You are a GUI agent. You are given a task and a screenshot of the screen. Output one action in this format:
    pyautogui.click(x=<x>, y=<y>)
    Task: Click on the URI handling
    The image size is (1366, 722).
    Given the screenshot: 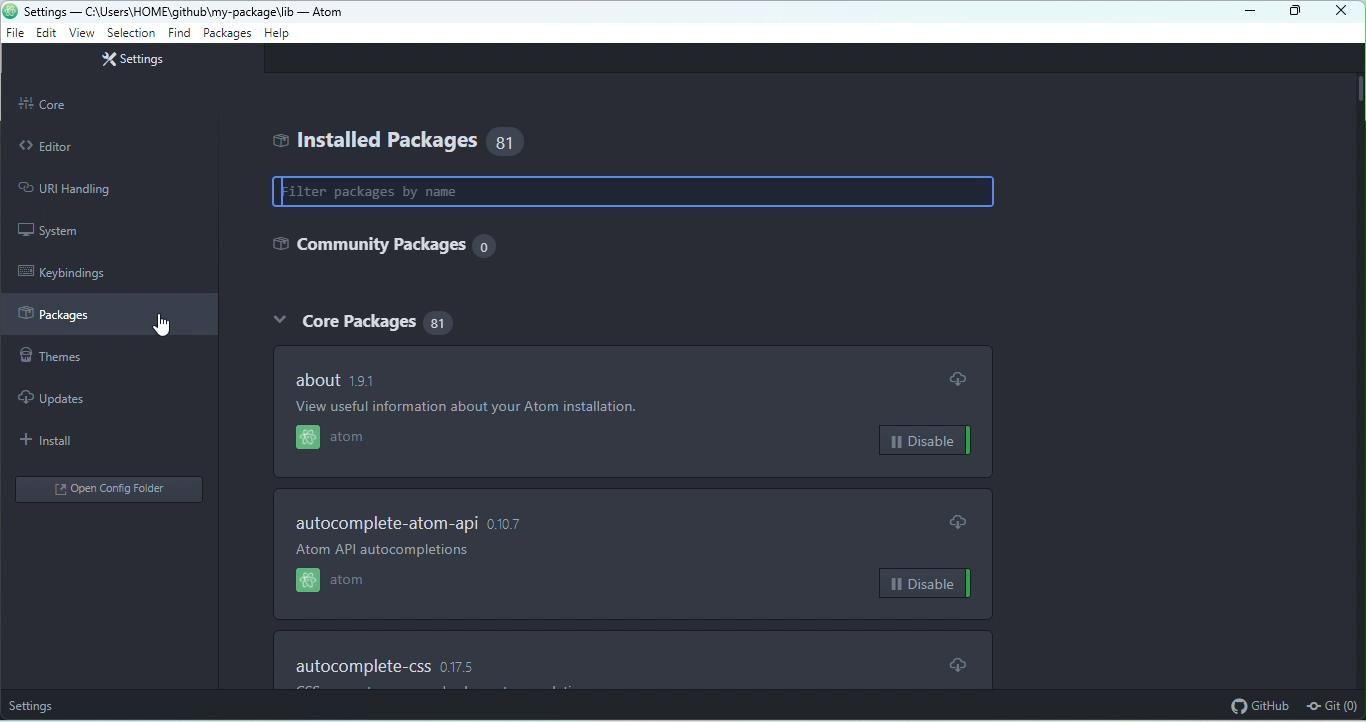 What is the action you would take?
    pyautogui.click(x=102, y=188)
    